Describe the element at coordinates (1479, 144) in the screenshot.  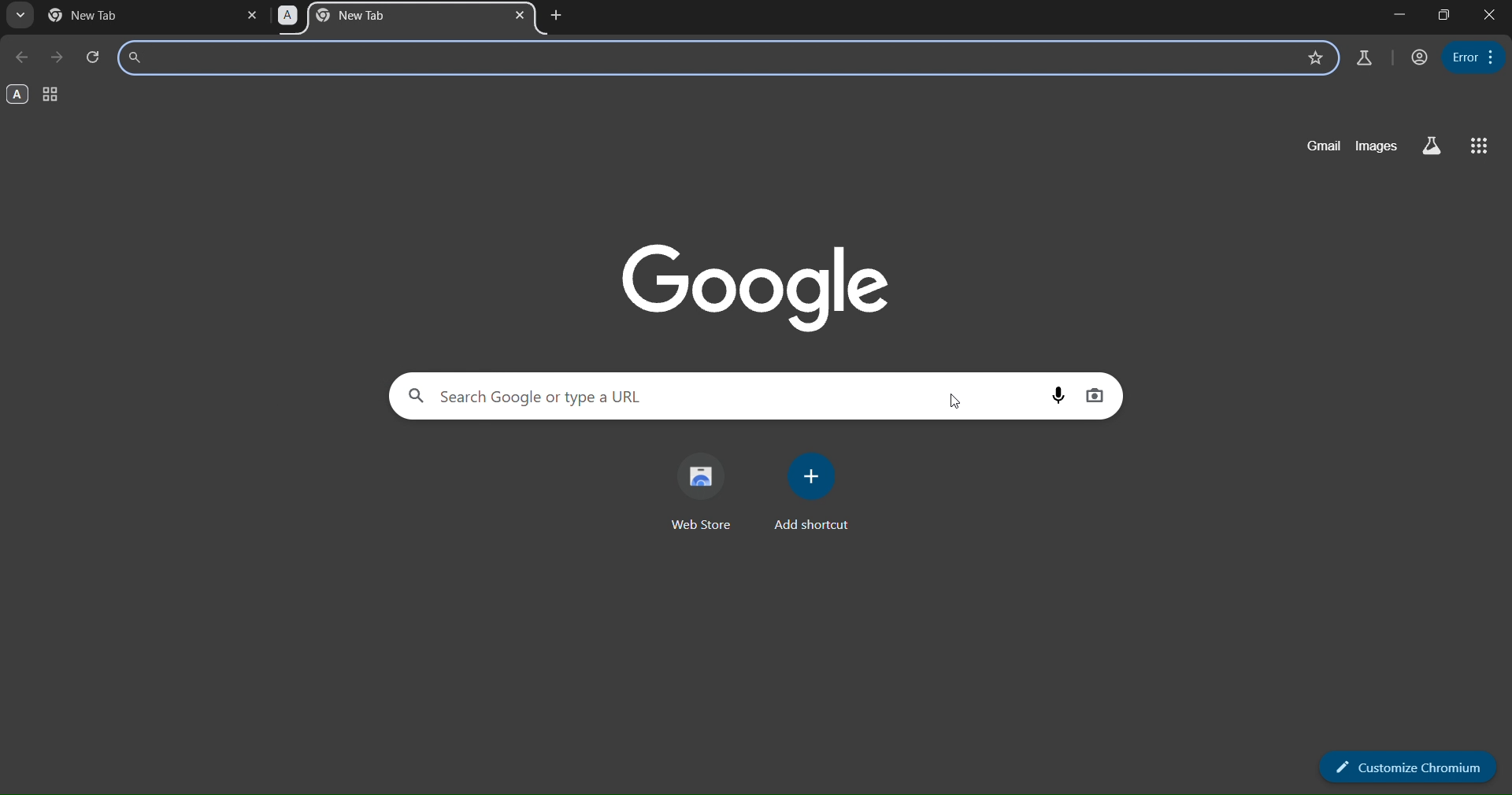
I see `google apps` at that location.